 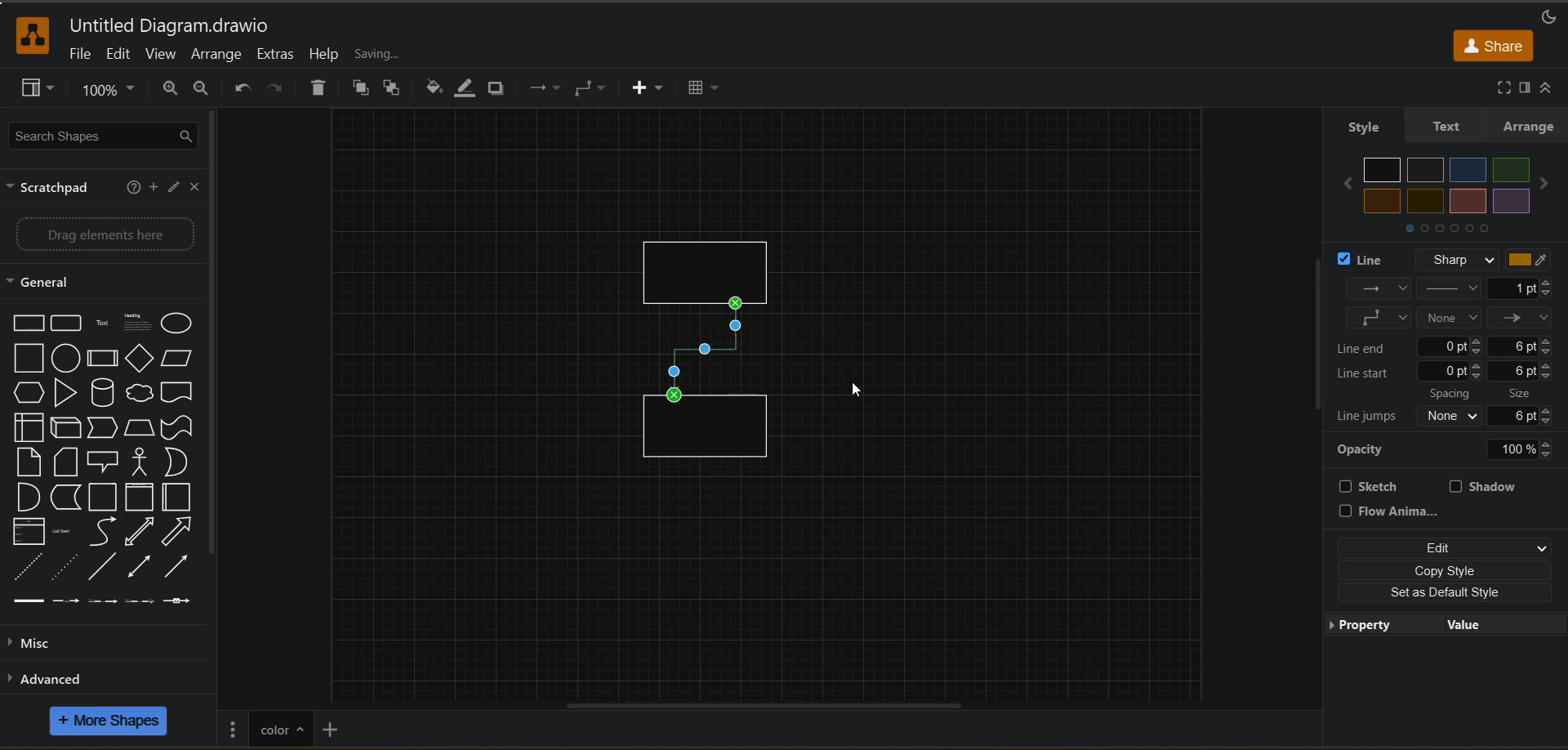 I want to click on colors, so click(x=1450, y=185).